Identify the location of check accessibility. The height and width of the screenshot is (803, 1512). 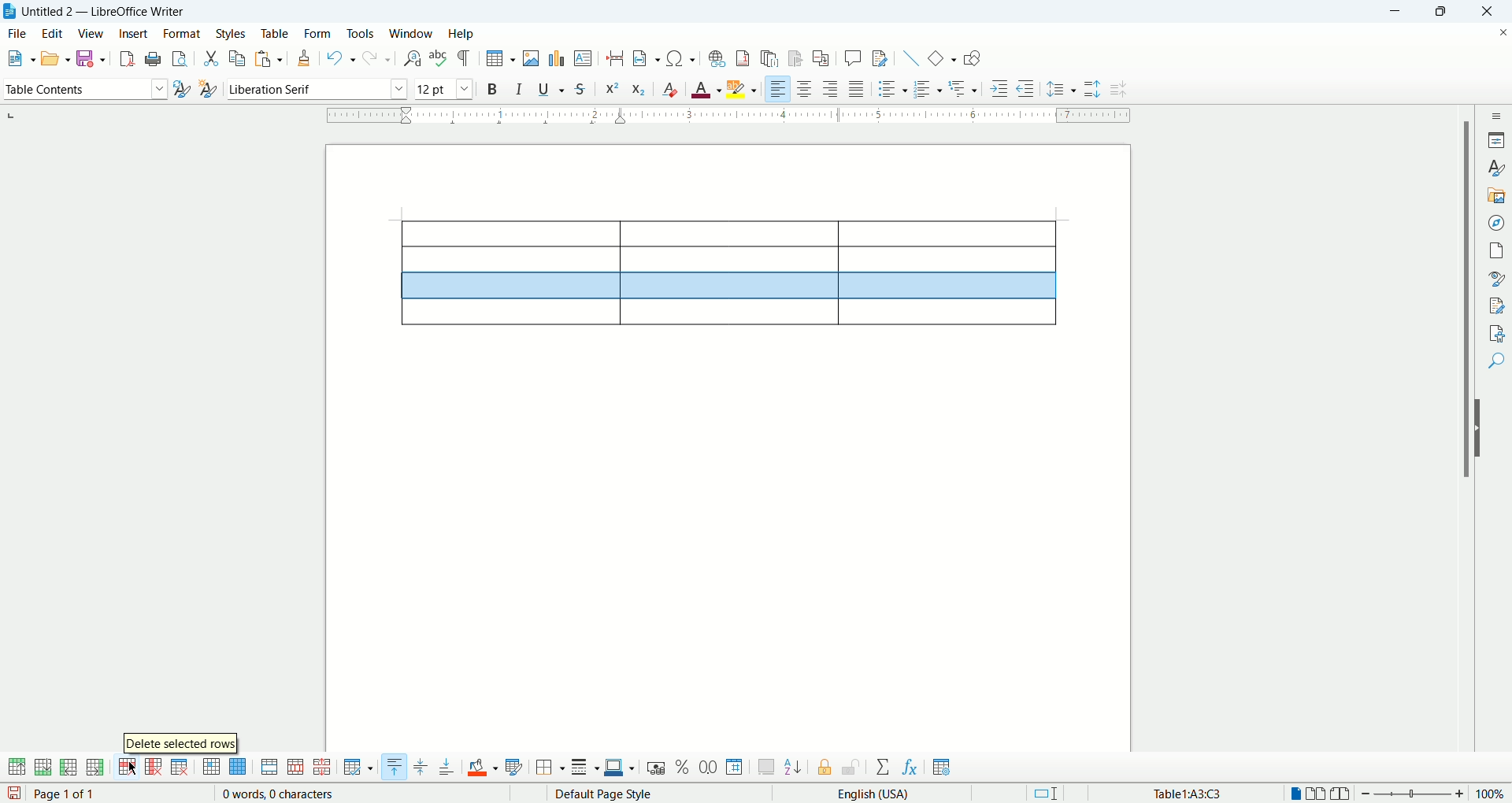
(1495, 333).